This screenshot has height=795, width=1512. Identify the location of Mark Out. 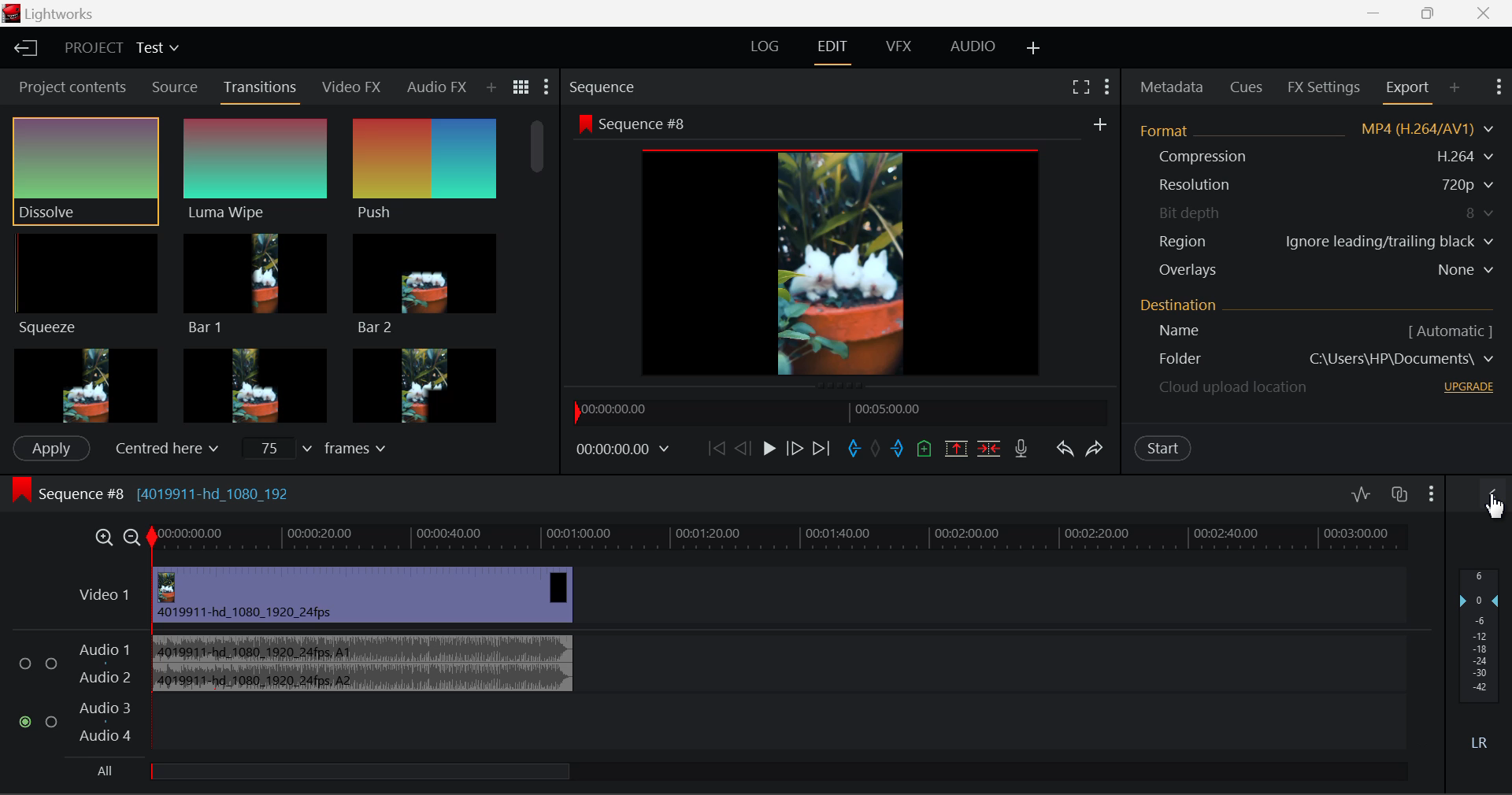
(899, 449).